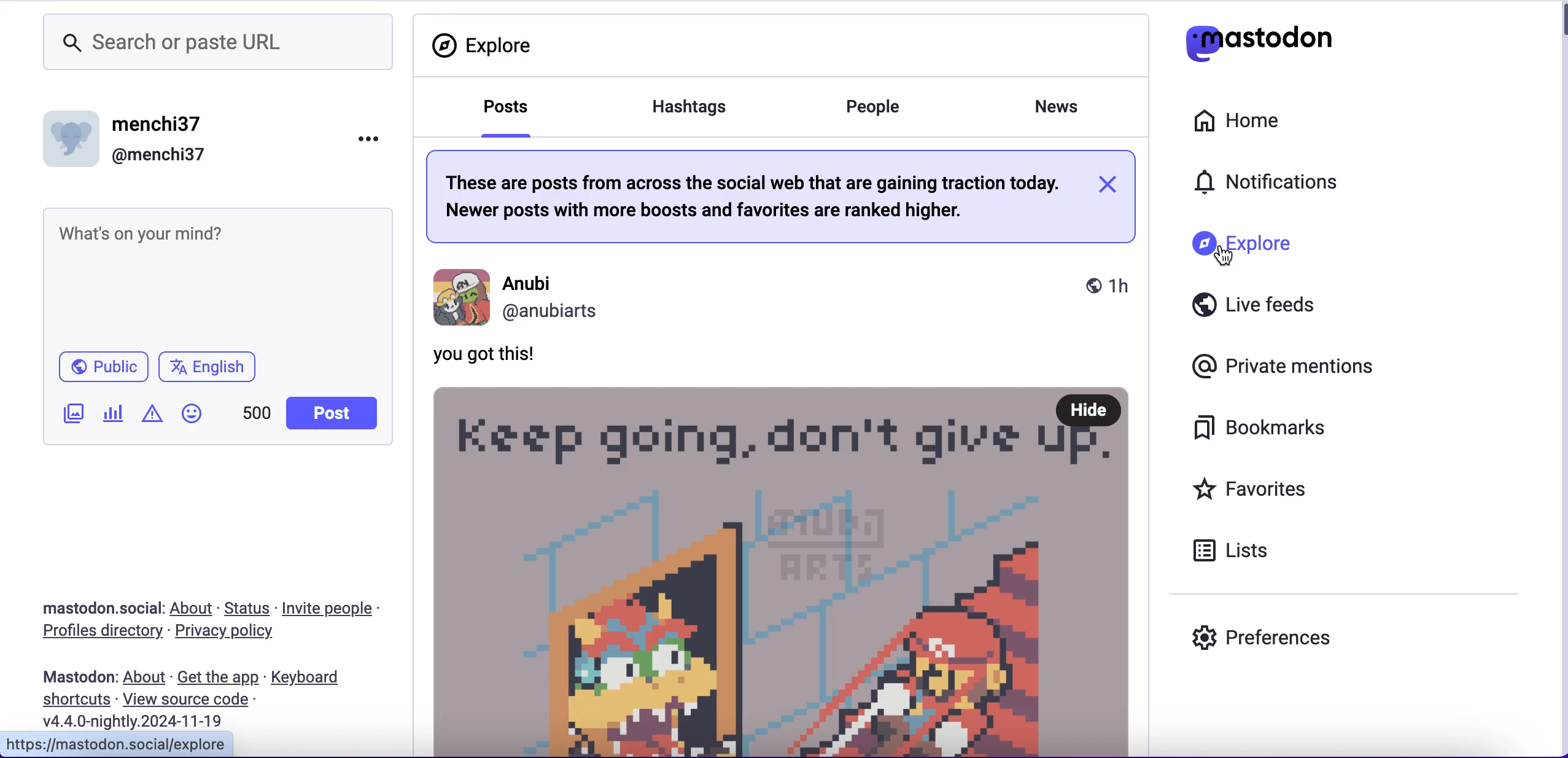 This screenshot has width=1568, height=758. Describe the element at coordinates (373, 143) in the screenshot. I see `options` at that location.